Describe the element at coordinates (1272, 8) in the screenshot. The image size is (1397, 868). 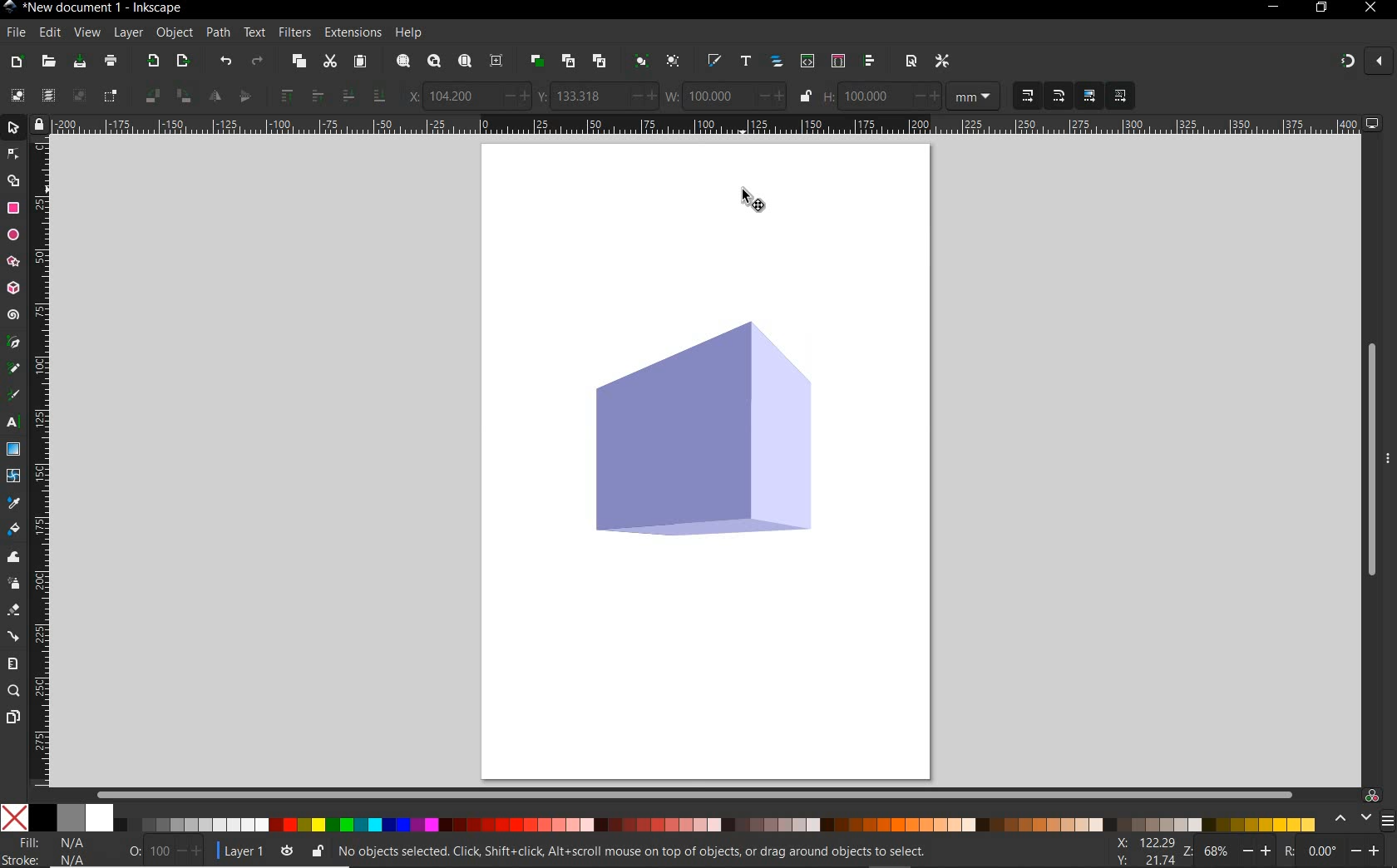
I see `minimize` at that location.